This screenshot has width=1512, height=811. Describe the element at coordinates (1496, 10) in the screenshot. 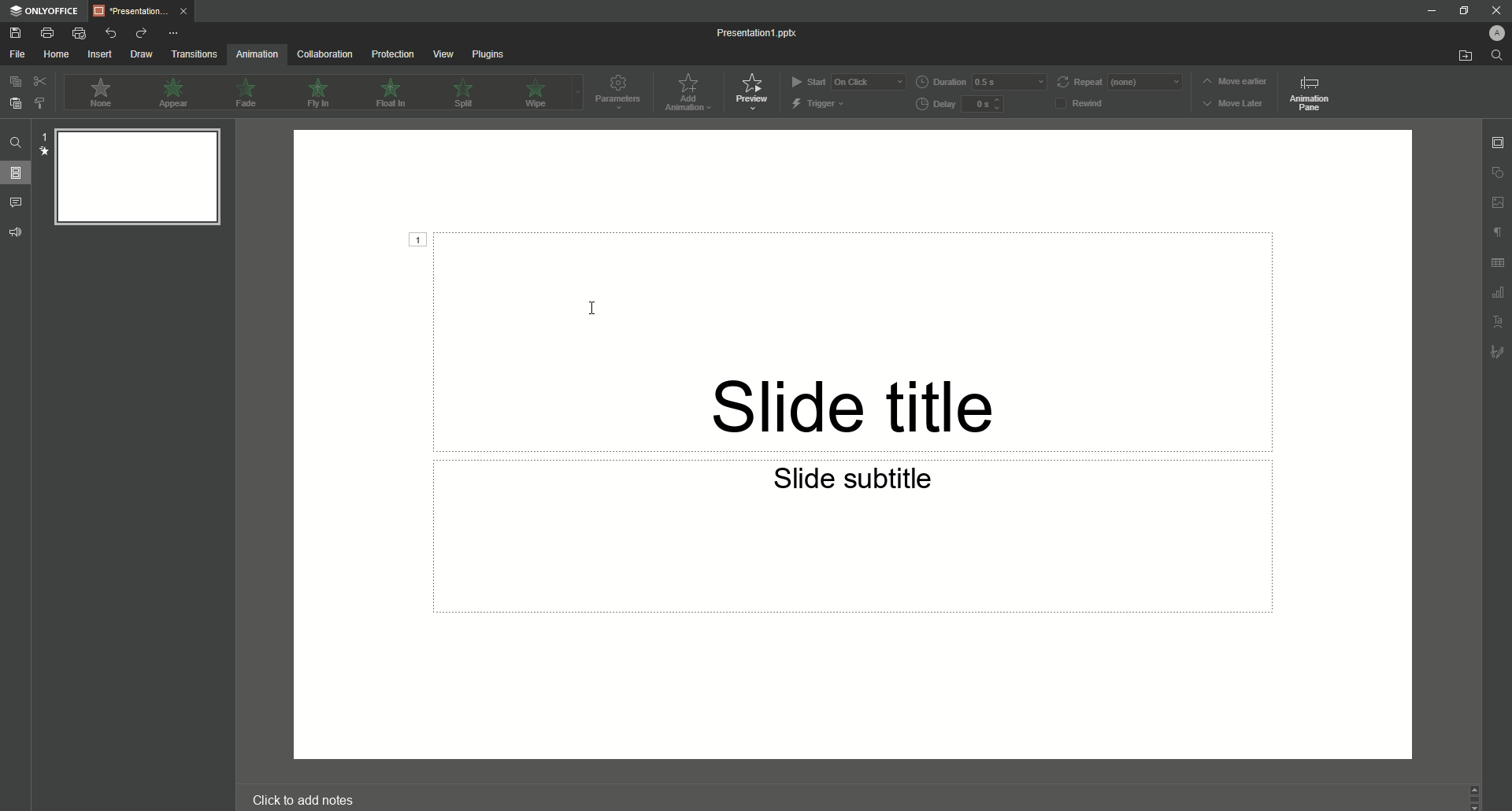

I see `Close` at that location.